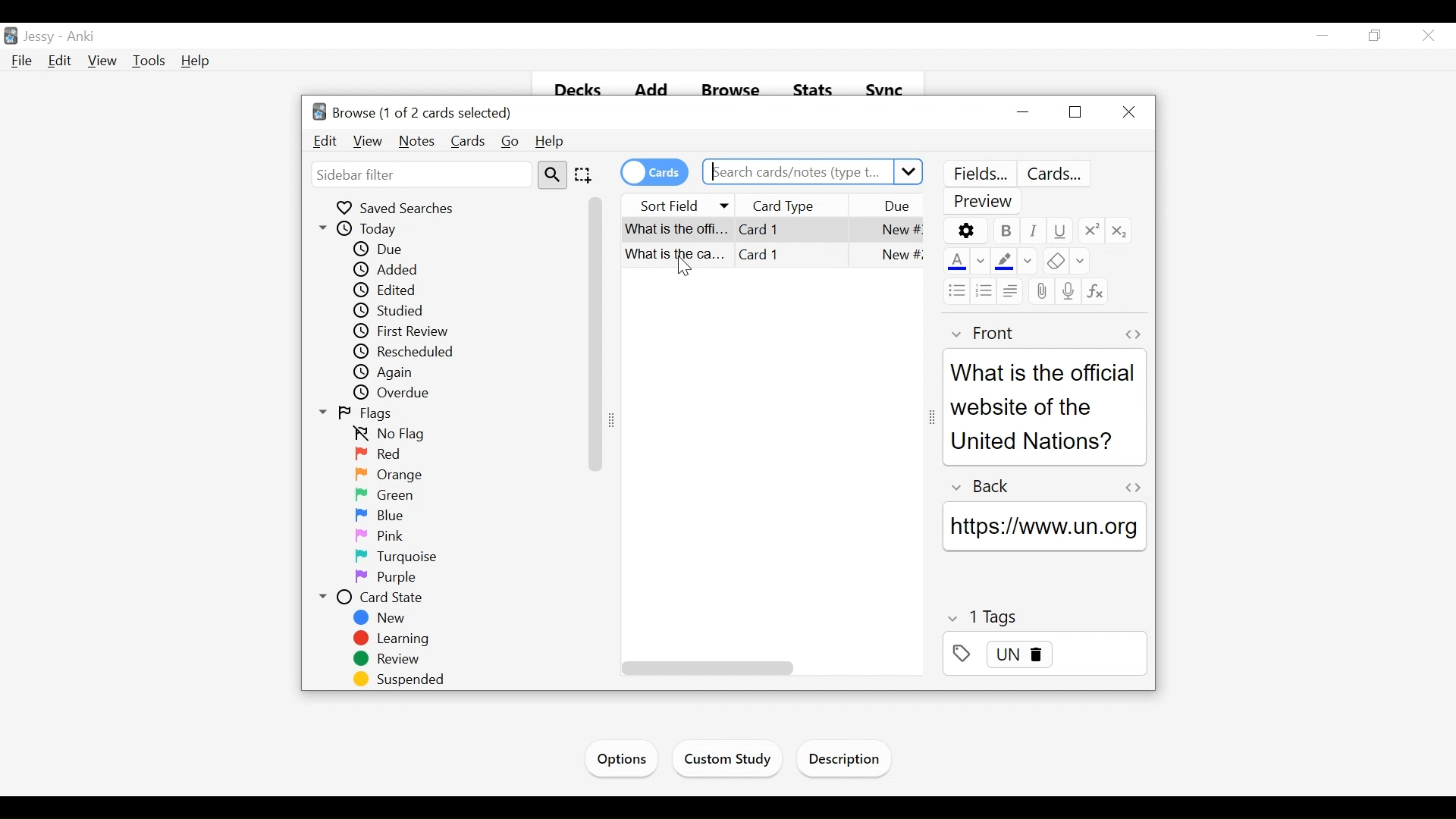 The image size is (1456, 819). I want to click on Rescheduled, so click(406, 352).